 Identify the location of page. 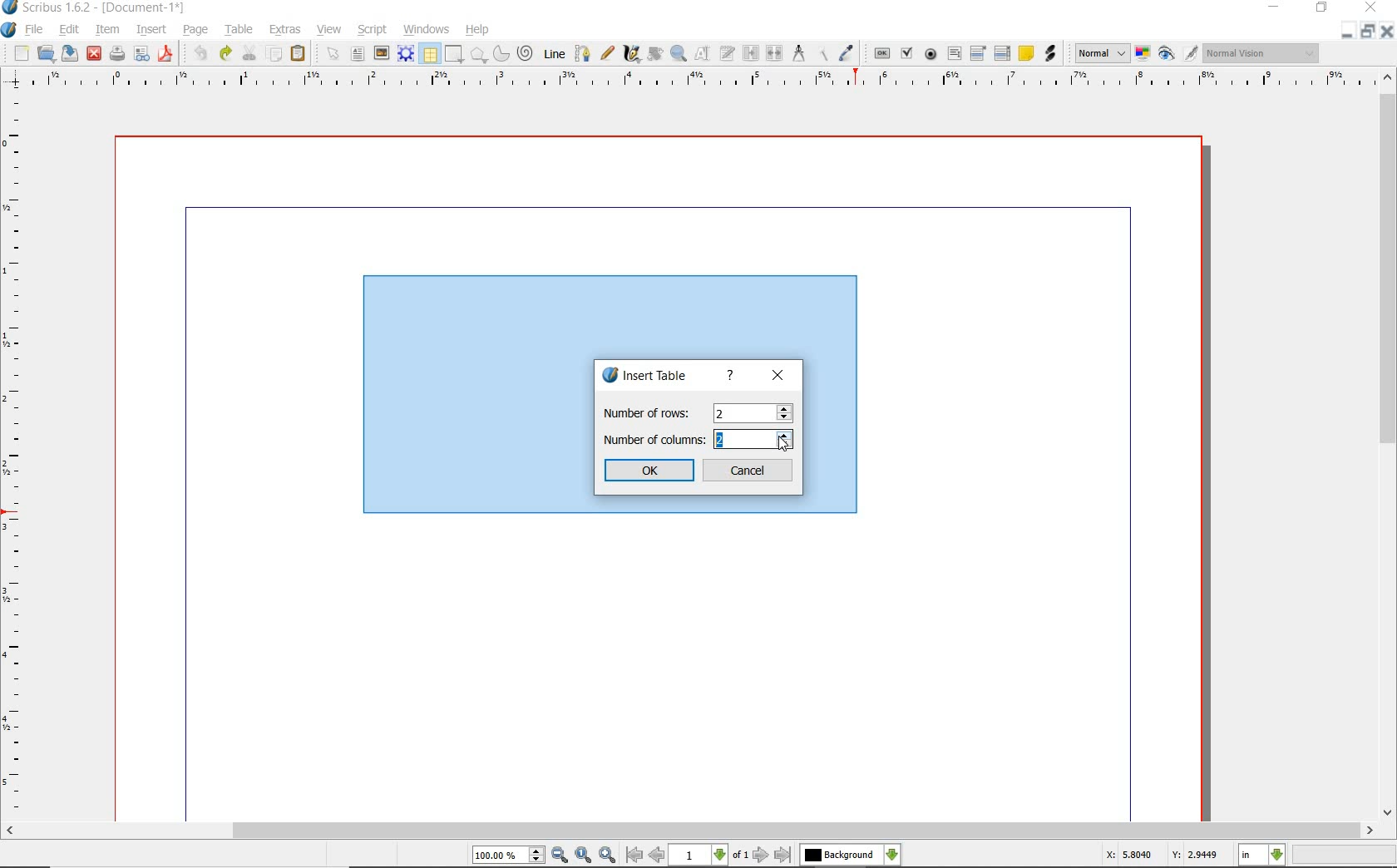
(195, 31).